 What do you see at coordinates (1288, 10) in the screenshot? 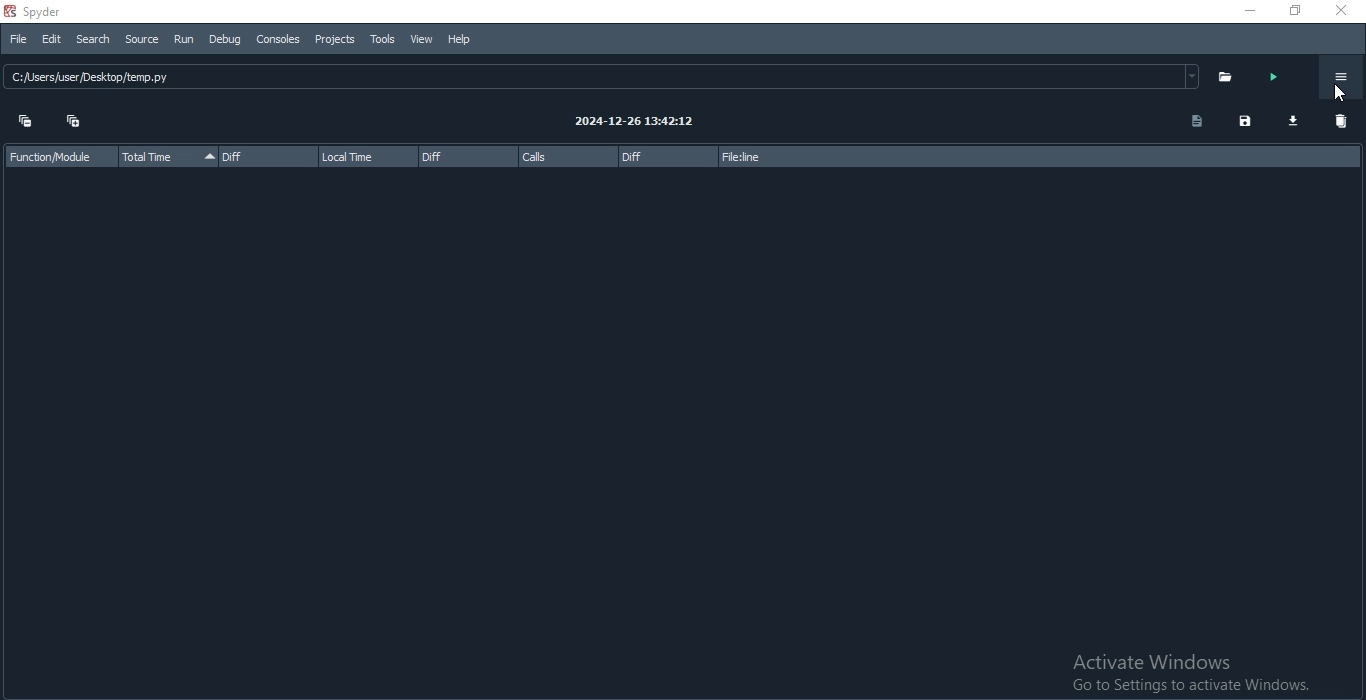
I see `Restore` at bounding box center [1288, 10].